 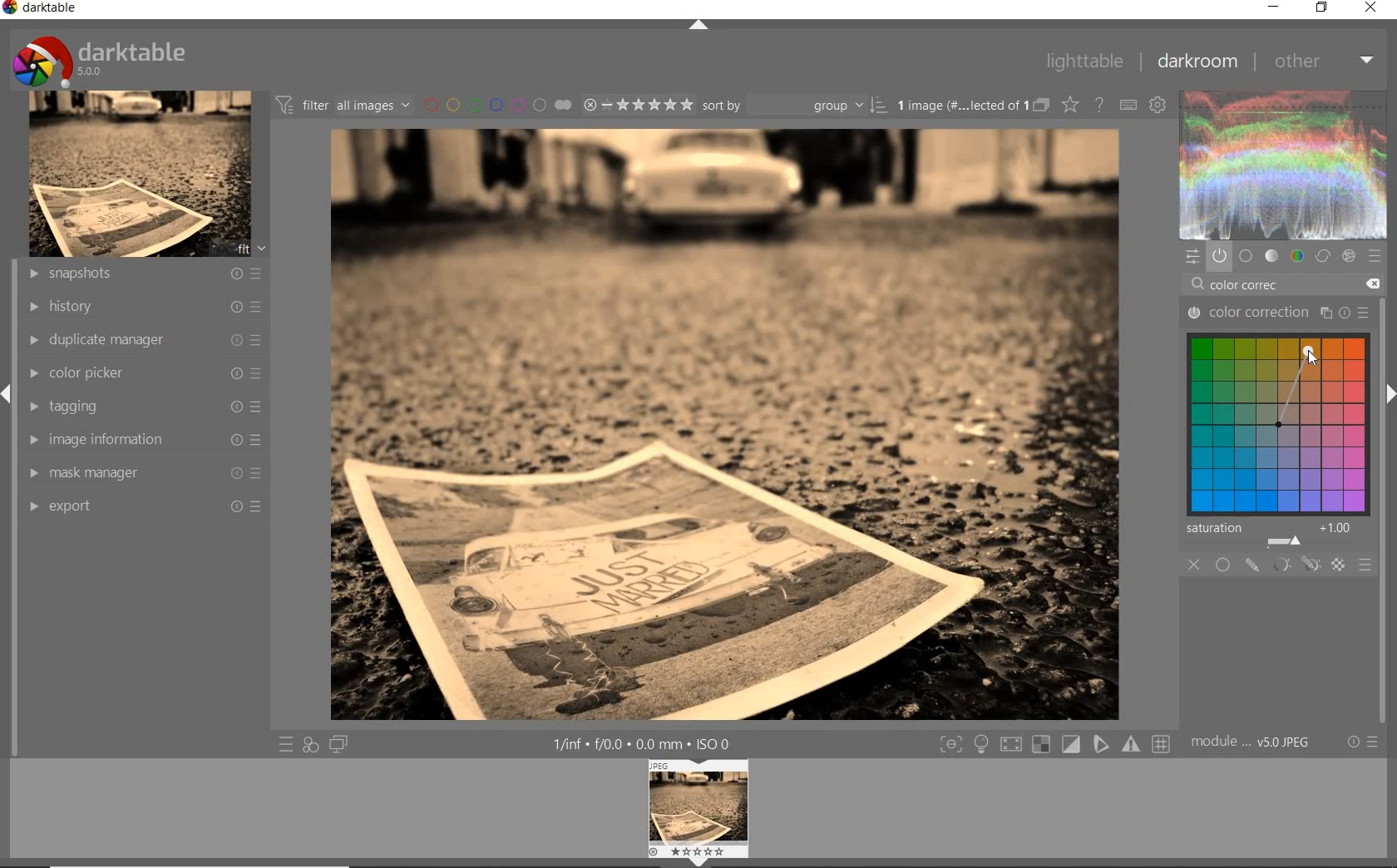 I want to click on show global preference, so click(x=1156, y=106).